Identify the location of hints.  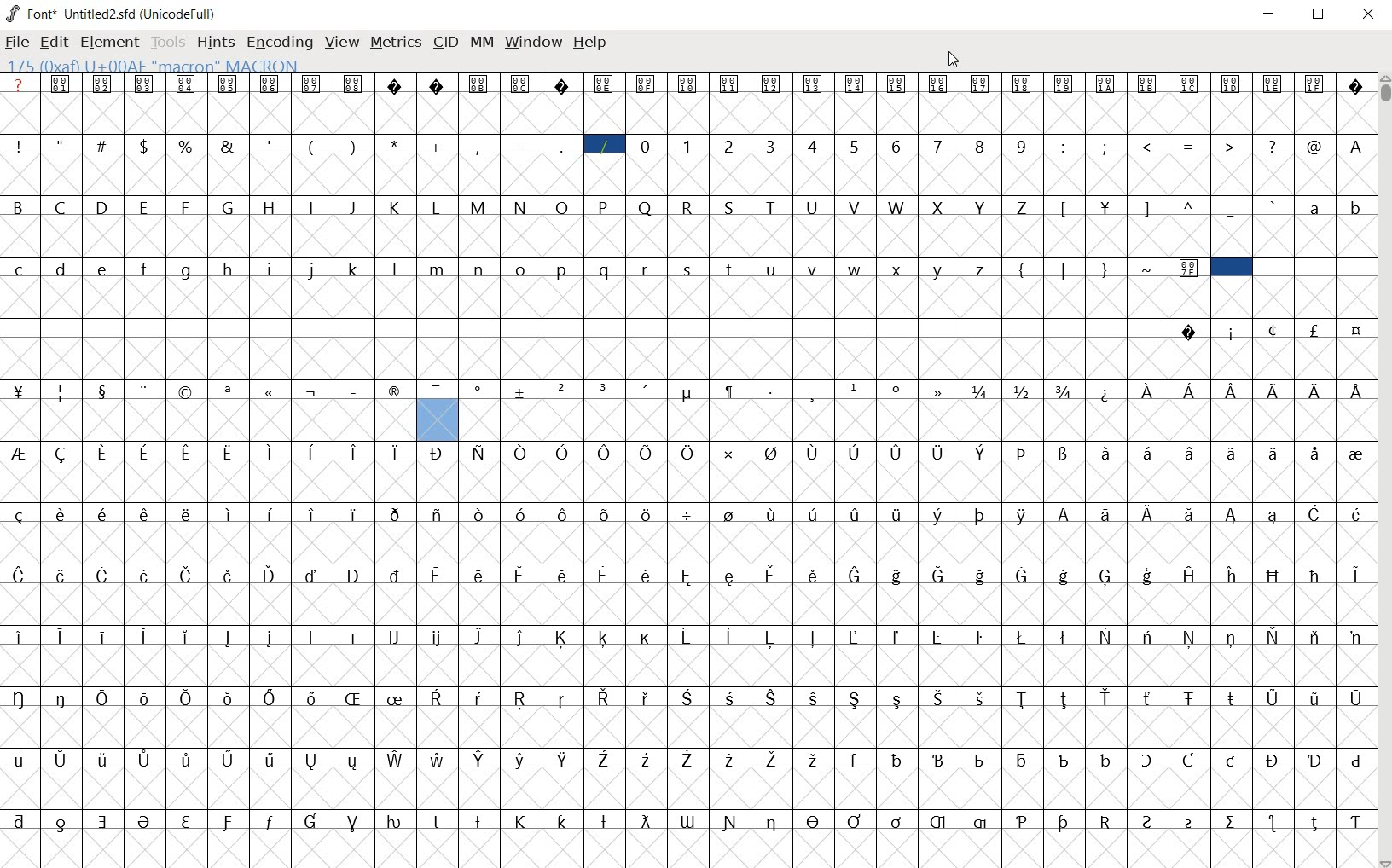
(216, 43).